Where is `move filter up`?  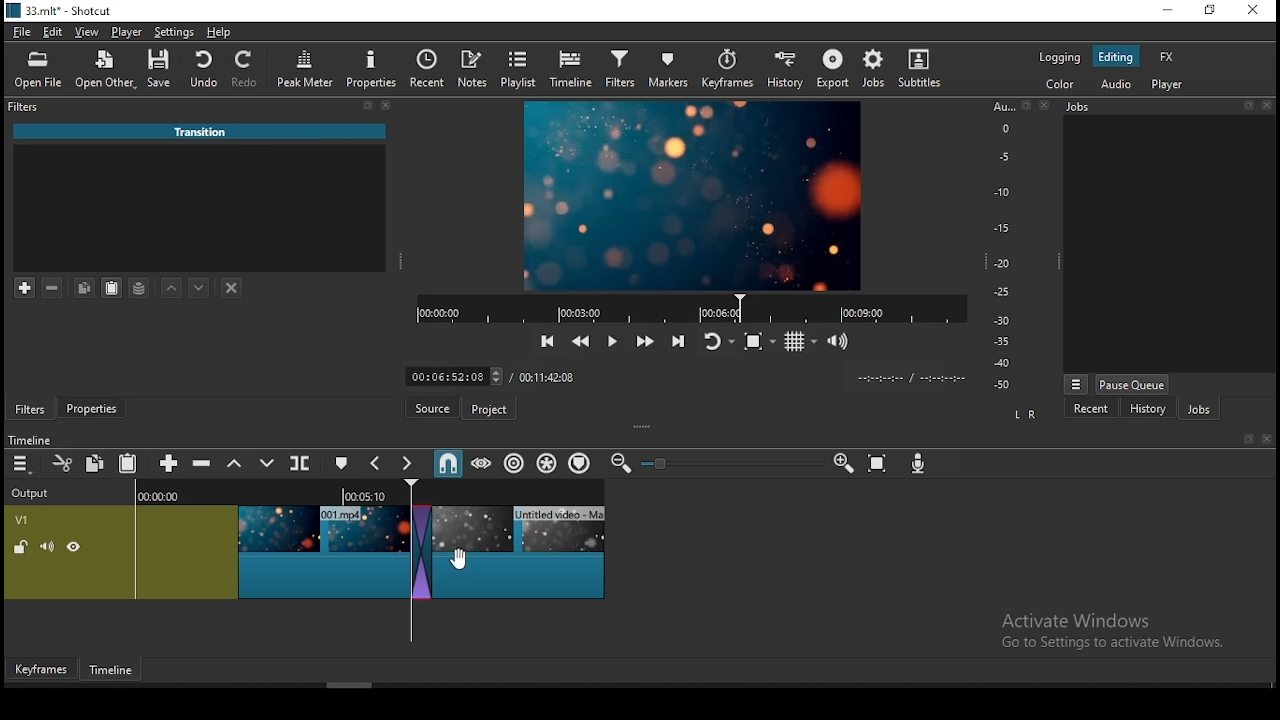
move filter up is located at coordinates (174, 287).